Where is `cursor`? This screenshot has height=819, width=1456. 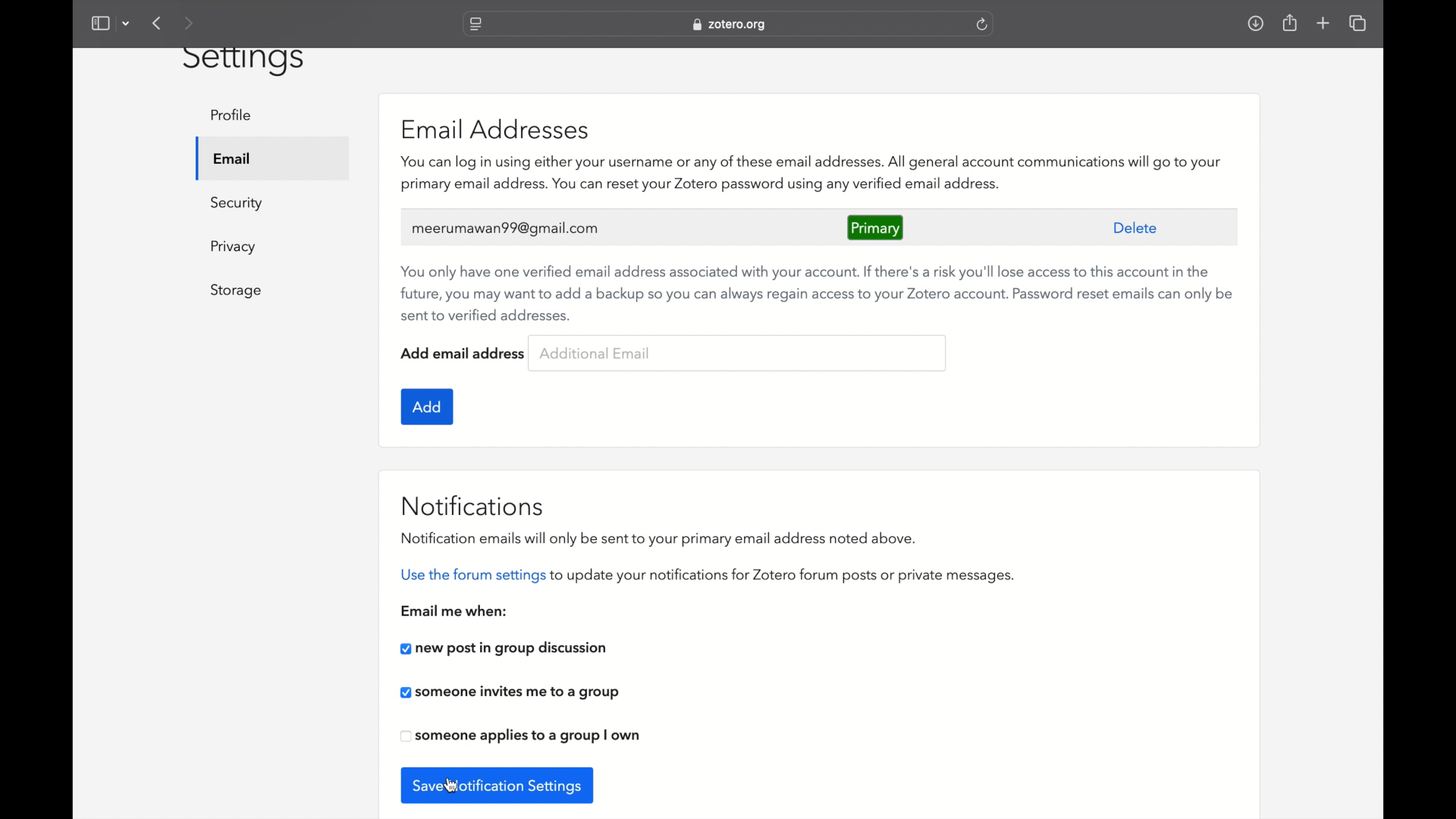
cursor is located at coordinates (451, 785).